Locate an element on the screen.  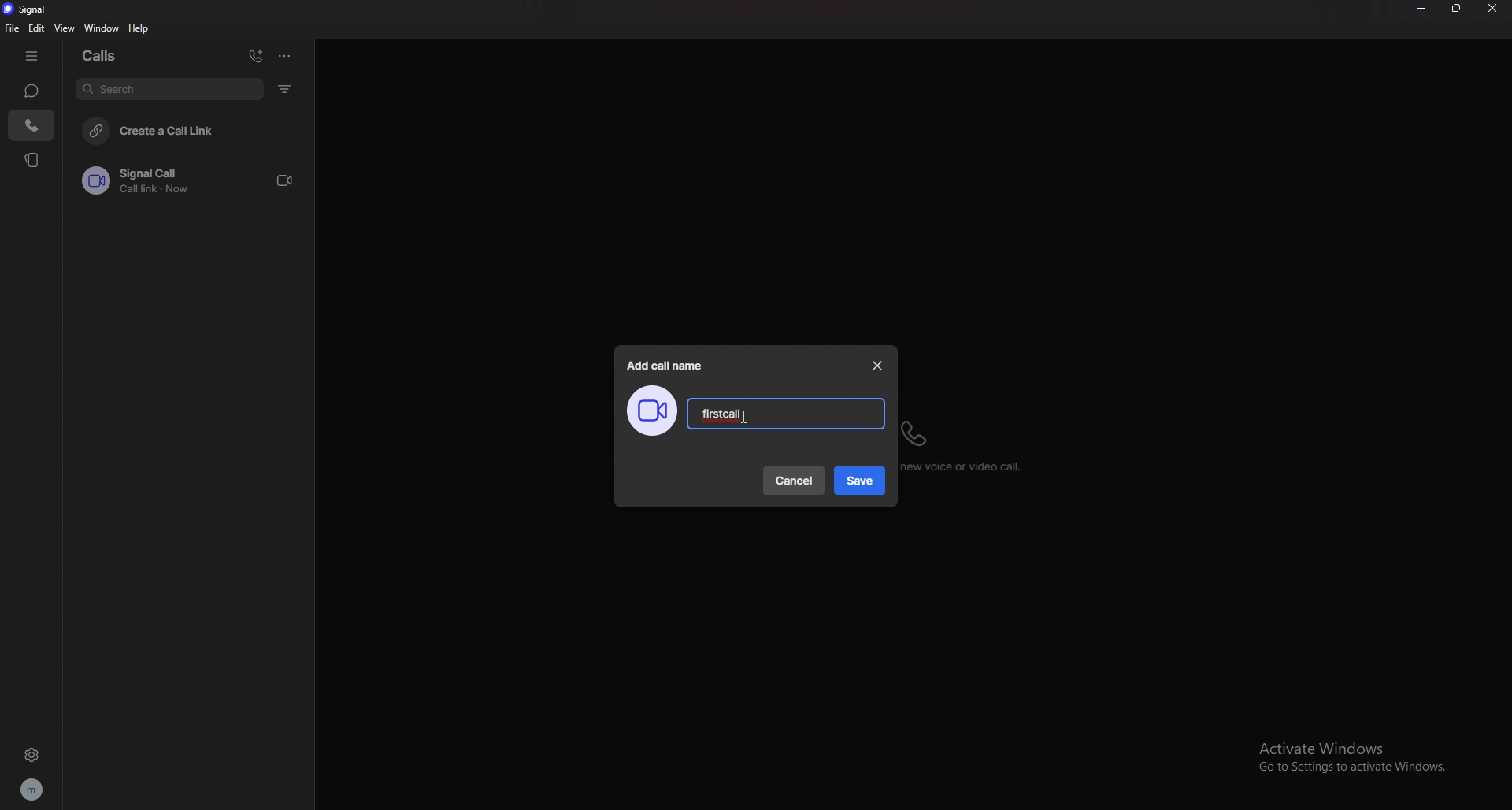
edit is located at coordinates (37, 28).